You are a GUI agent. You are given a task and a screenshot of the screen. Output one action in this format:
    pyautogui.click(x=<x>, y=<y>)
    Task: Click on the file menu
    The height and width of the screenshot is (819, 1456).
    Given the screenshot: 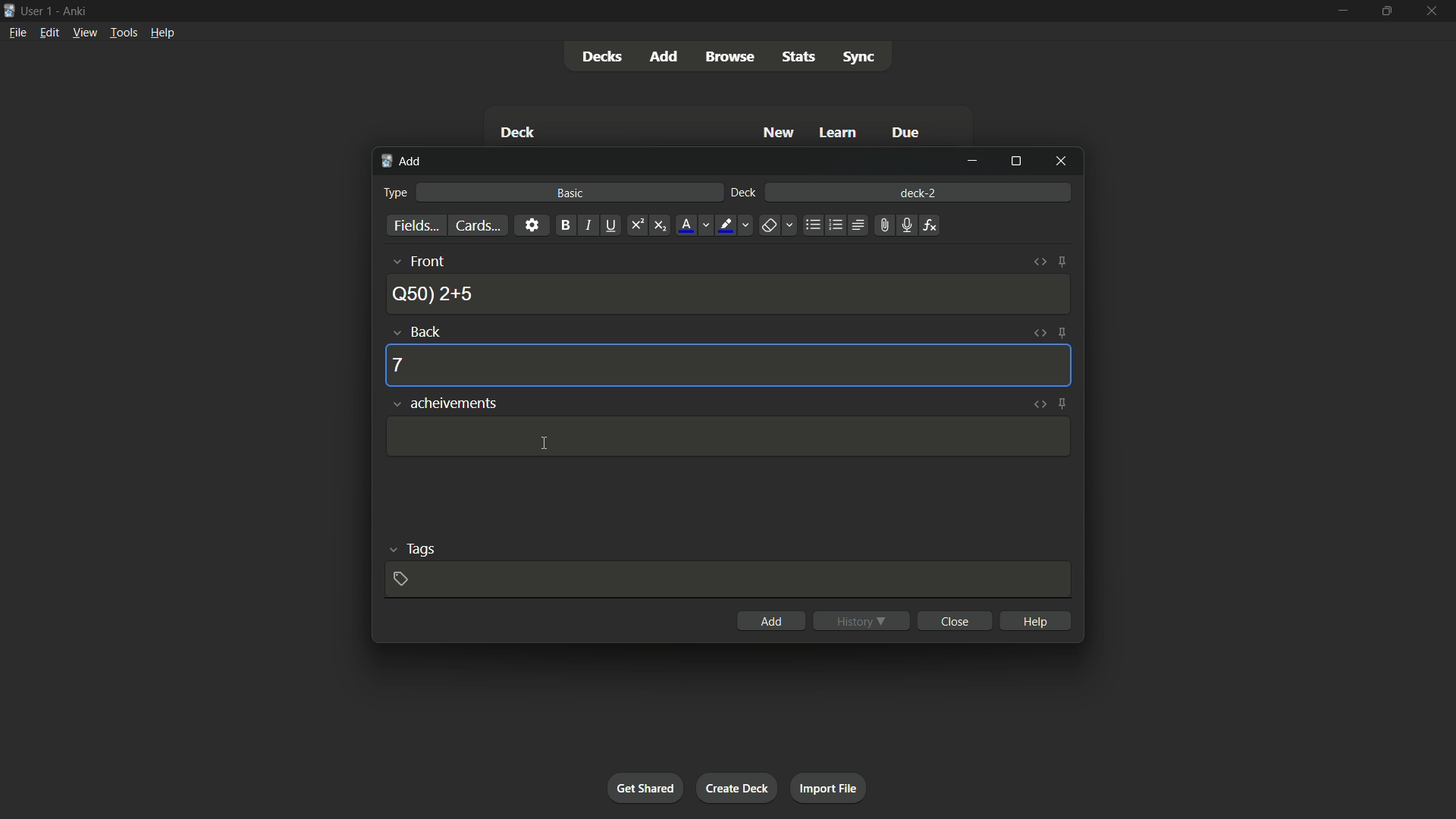 What is the action you would take?
    pyautogui.click(x=18, y=33)
    